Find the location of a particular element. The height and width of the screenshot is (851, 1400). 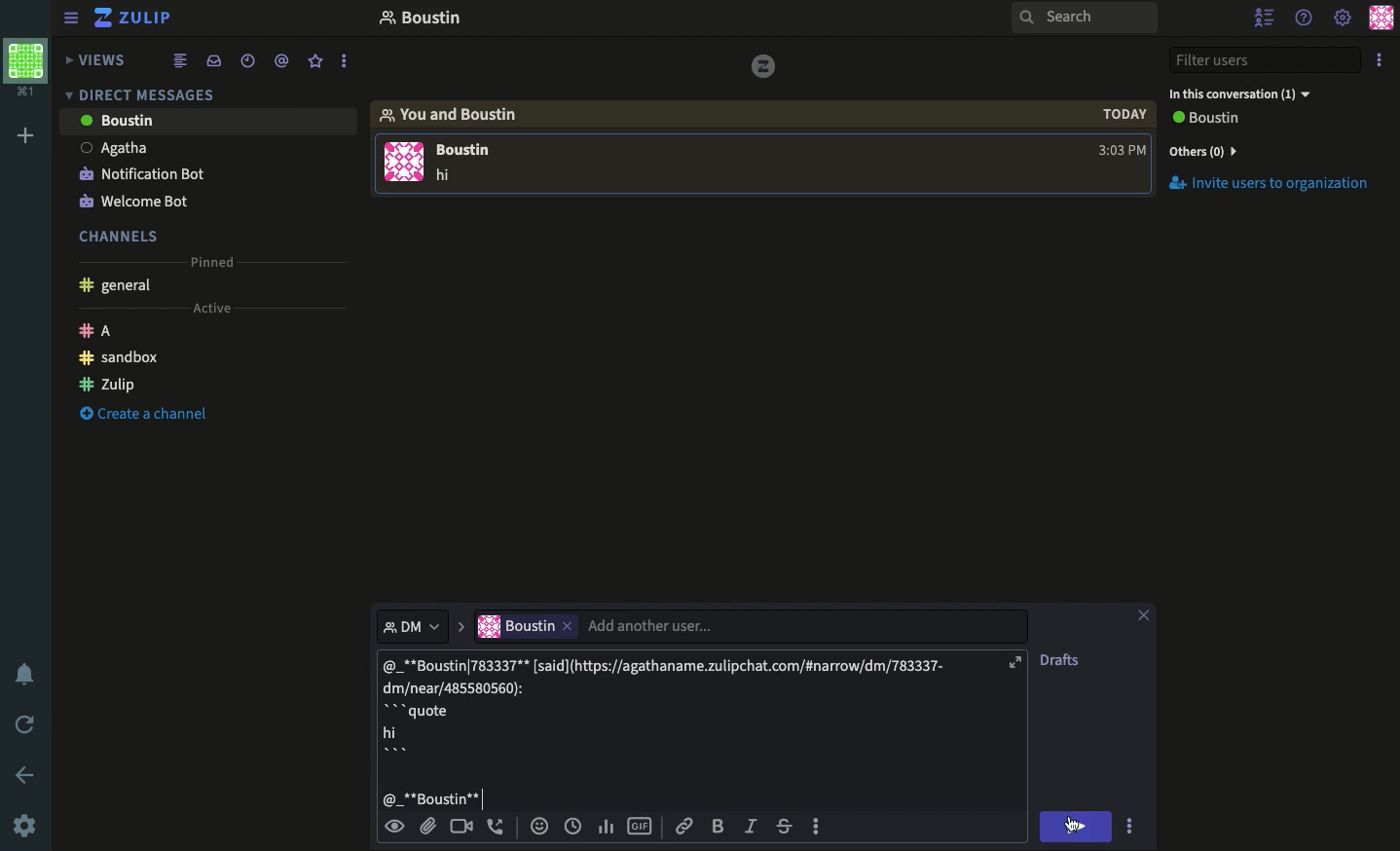

Link is located at coordinates (683, 826).